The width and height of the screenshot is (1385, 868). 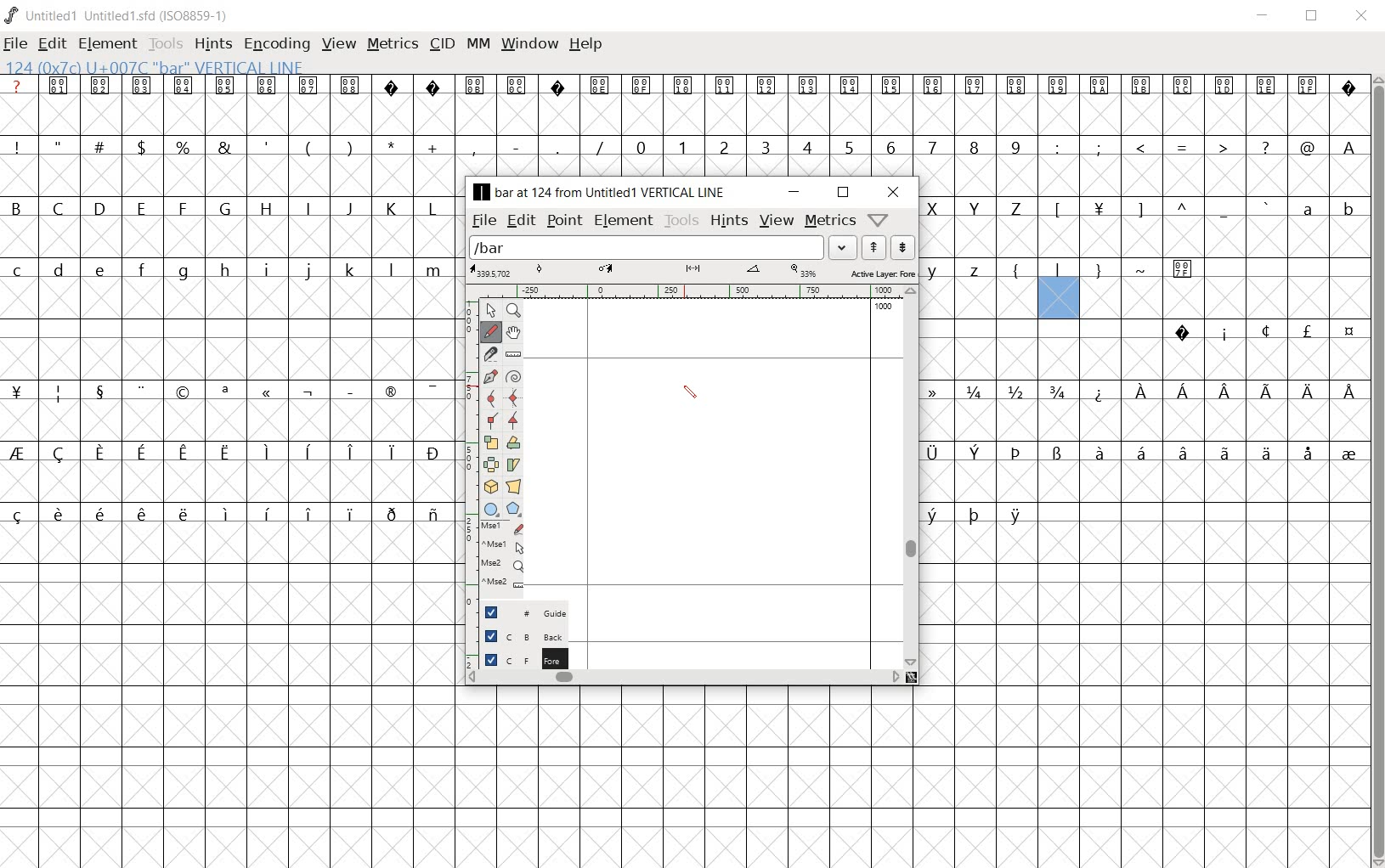 What do you see at coordinates (231, 301) in the screenshot?
I see `empty cells` at bounding box center [231, 301].